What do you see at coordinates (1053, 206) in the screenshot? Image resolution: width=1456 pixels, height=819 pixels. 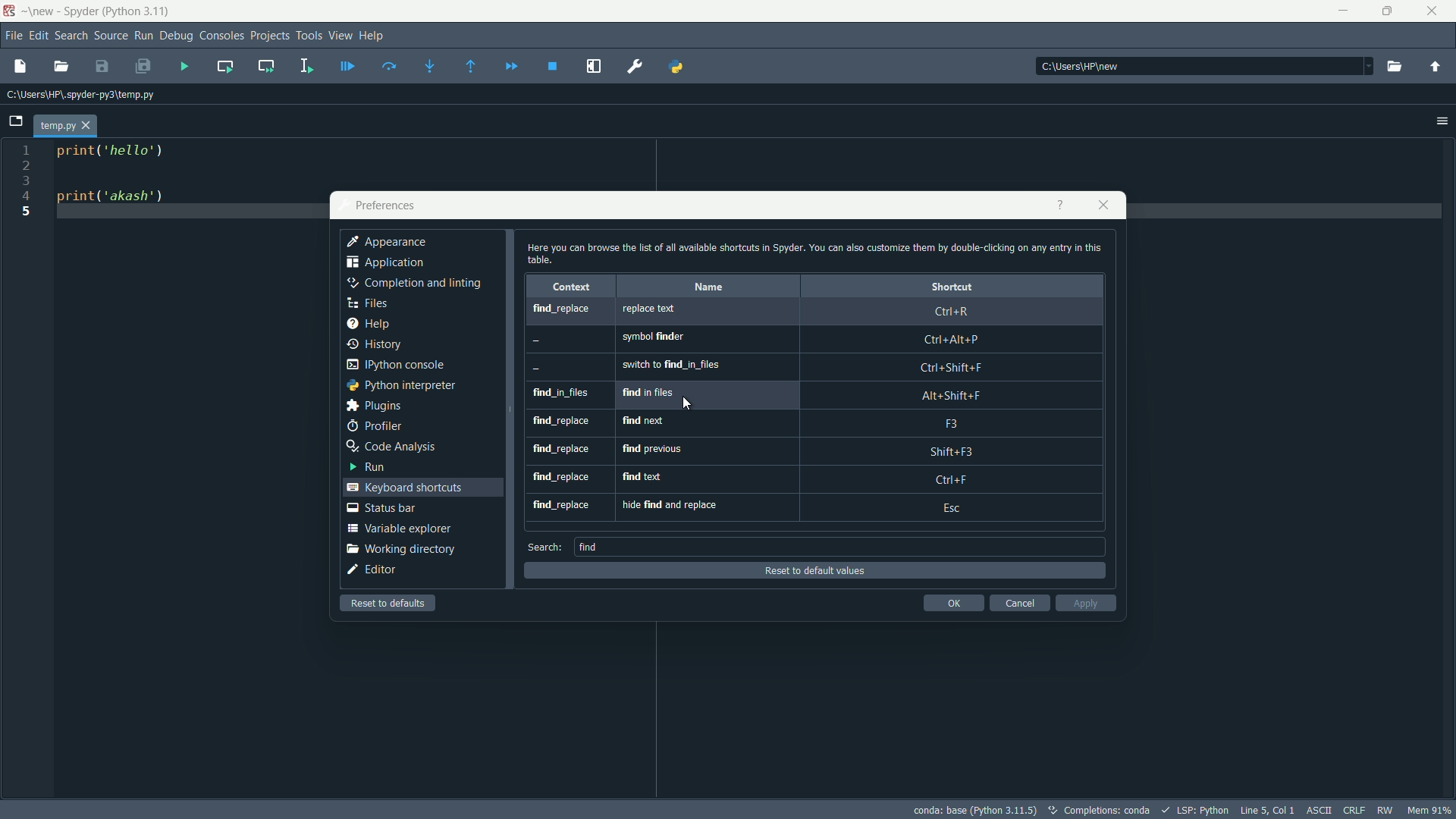 I see `help` at bounding box center [1053, 206].